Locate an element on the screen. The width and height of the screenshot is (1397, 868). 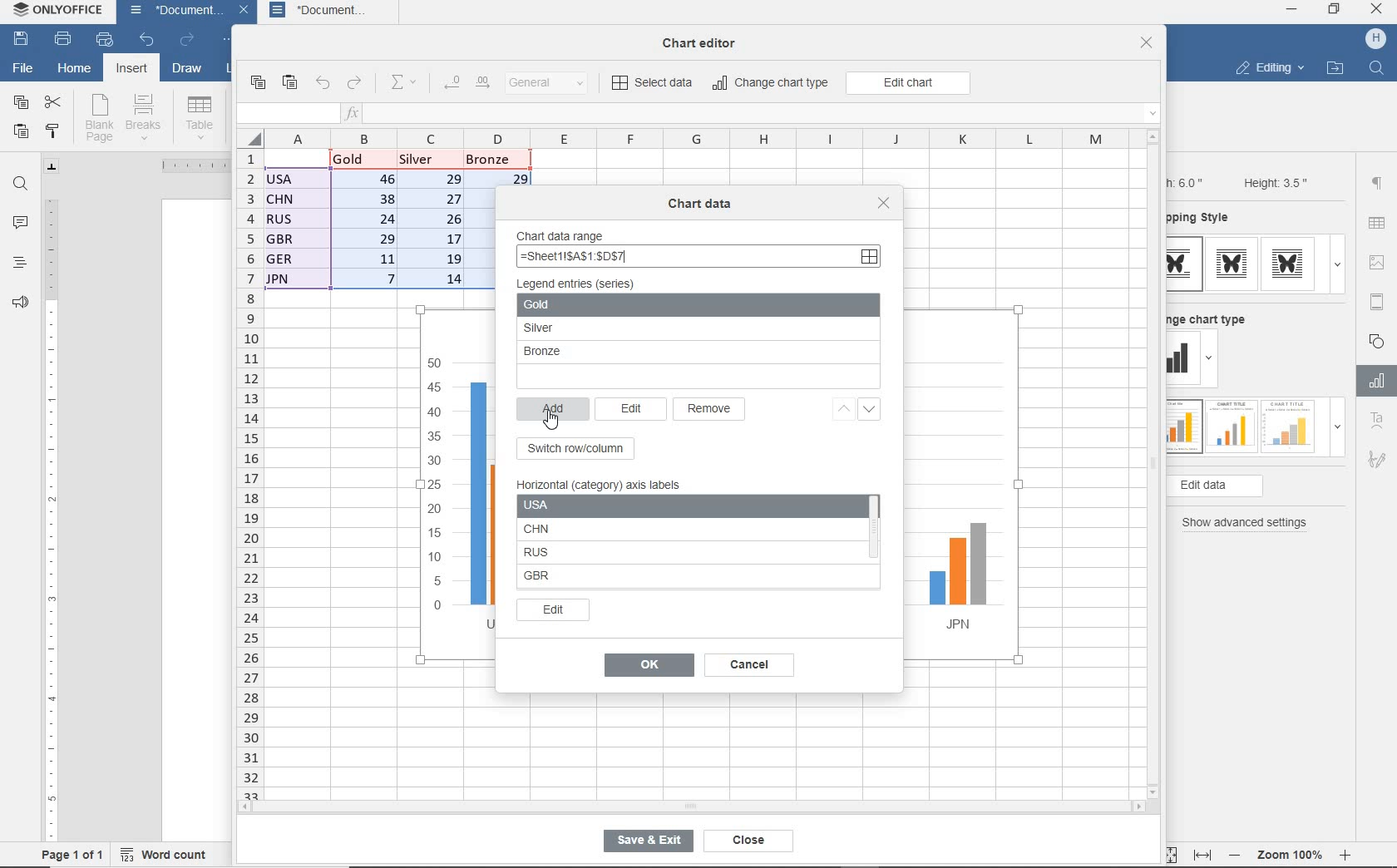
cut is located at coordinates (54, 101).